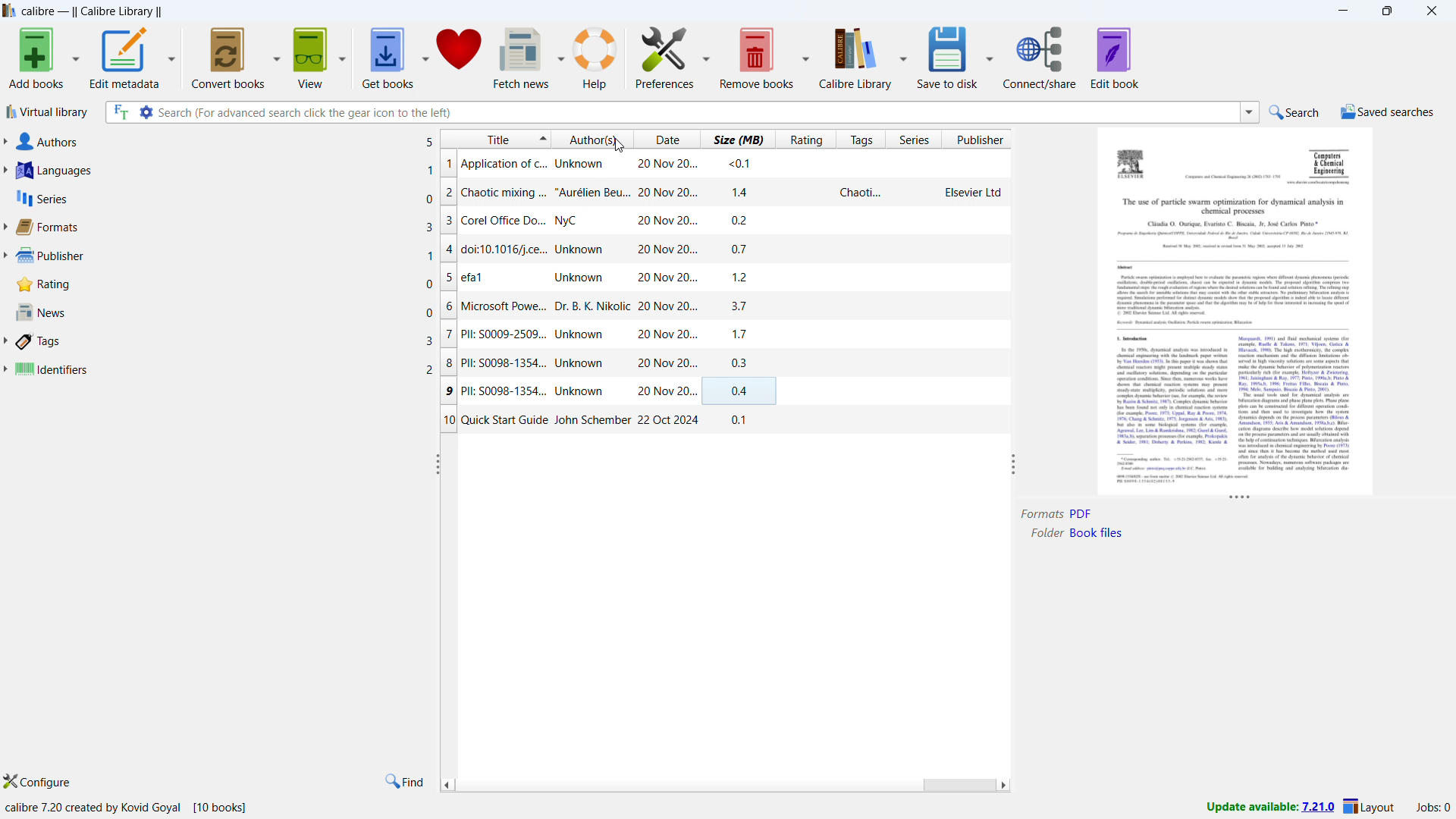  What do you see at coordinates (957, 784) in the screenshot?
I see `scrollbar` at bounding box center [957, 784].